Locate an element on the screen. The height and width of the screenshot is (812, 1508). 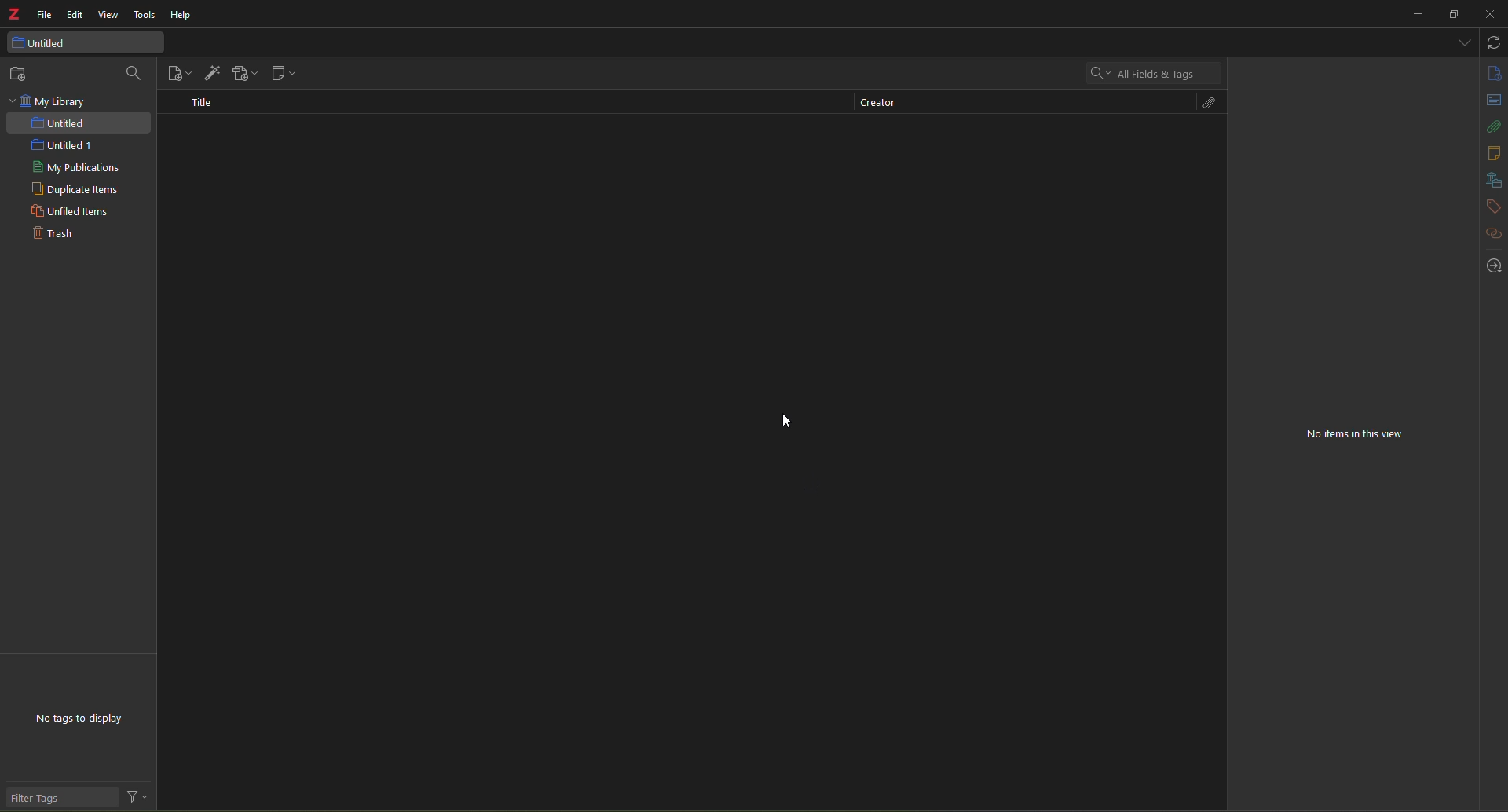
related is located at coordinates (1265, 342).